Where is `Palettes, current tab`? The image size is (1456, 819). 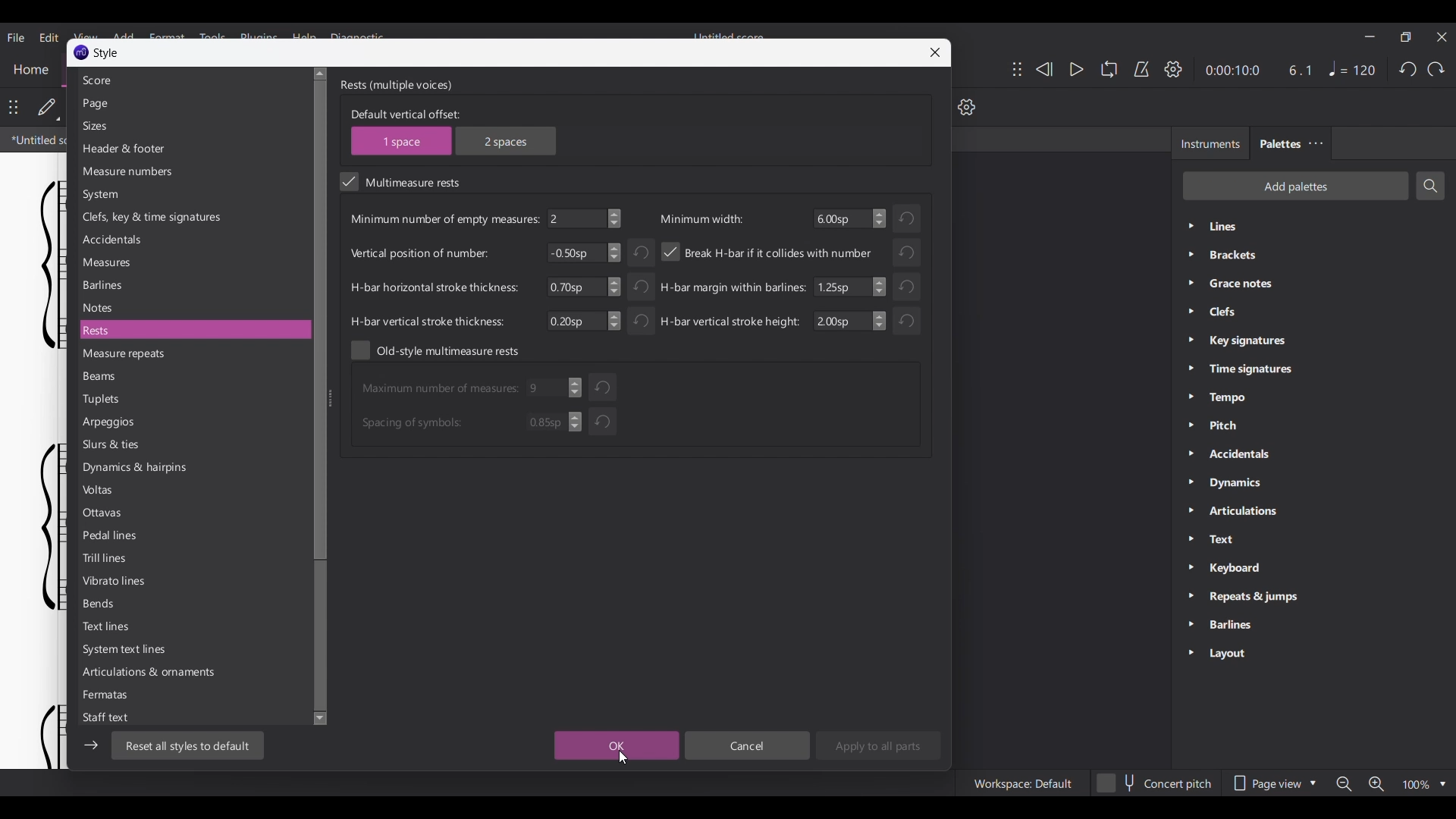
Palettes, current tab is located at coordinates (1279, 143).